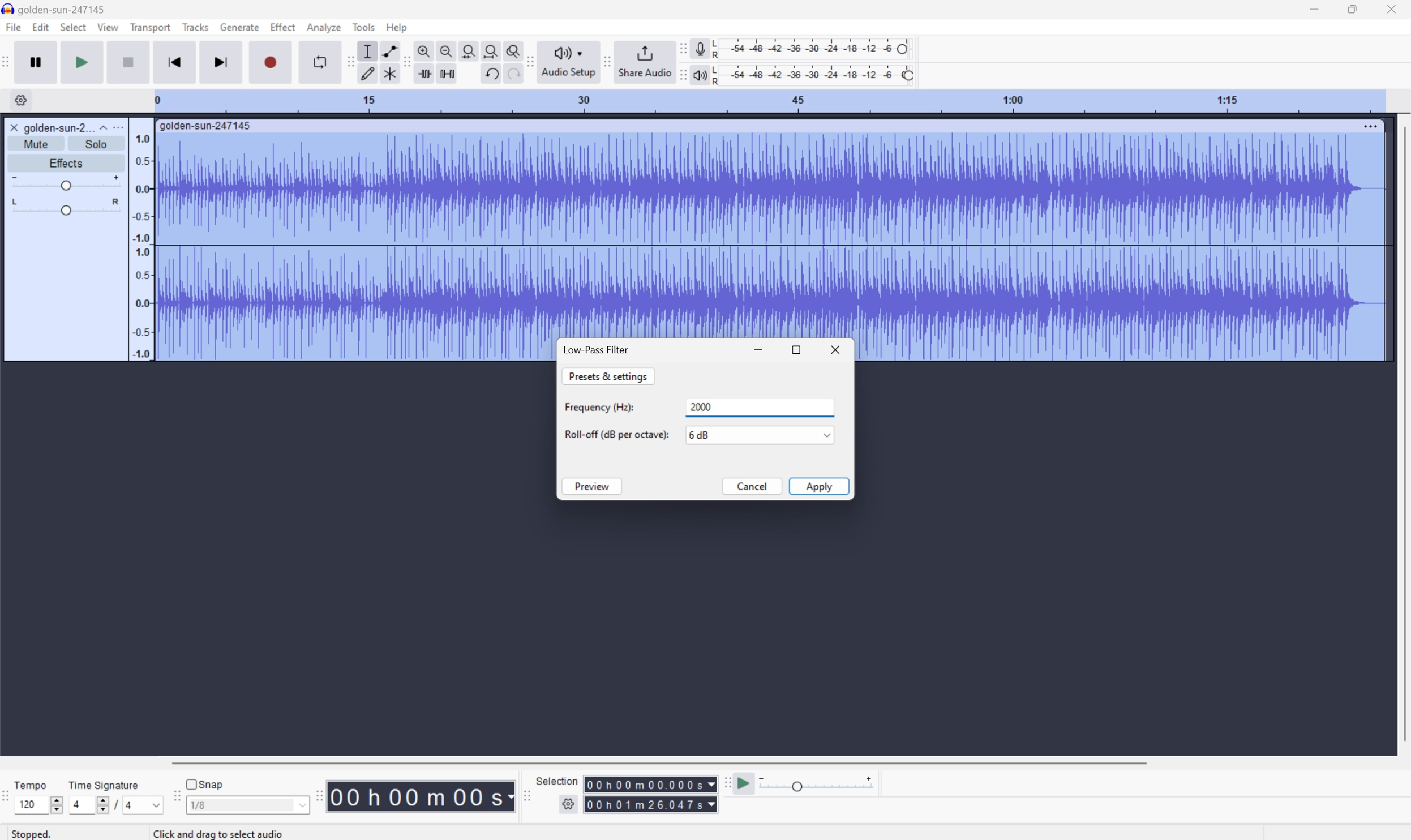  I want to click on Select, so click(72, 27).